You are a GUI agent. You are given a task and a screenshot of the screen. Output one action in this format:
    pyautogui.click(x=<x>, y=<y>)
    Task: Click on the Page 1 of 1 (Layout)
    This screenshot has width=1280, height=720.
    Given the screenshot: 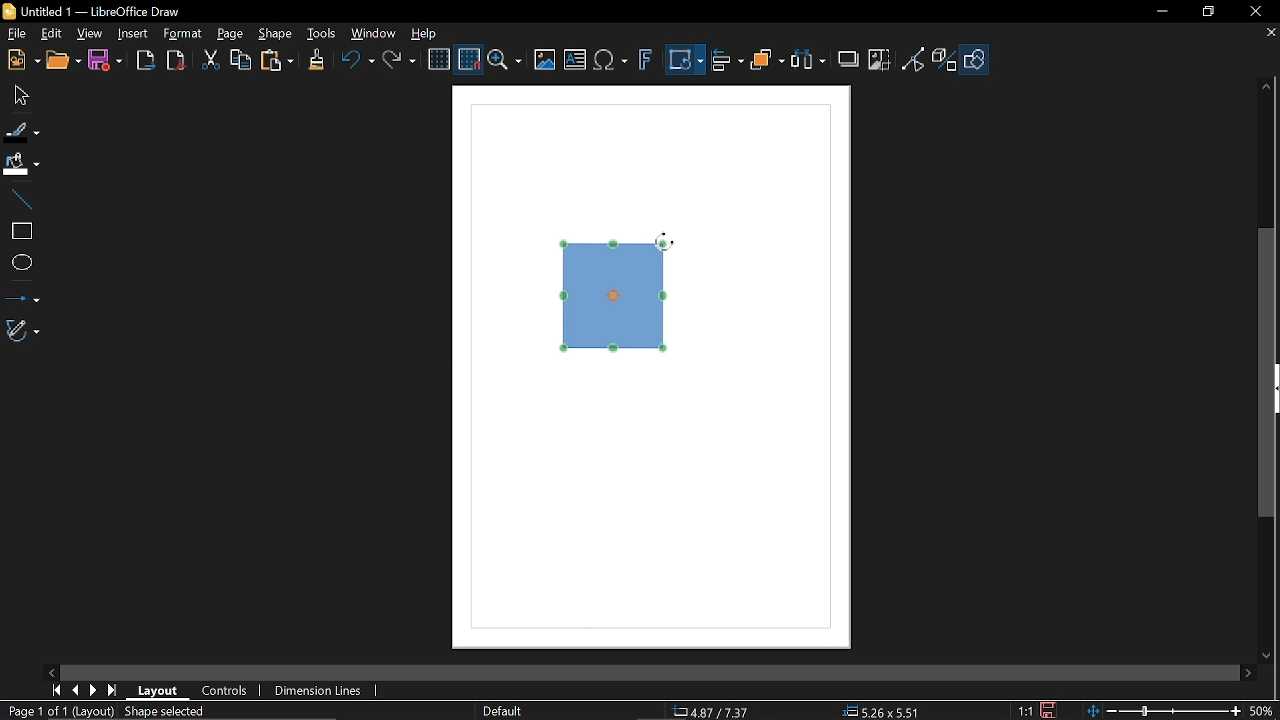 What is the action you would take?
    pyautogui.click(x=59, y=711)
    